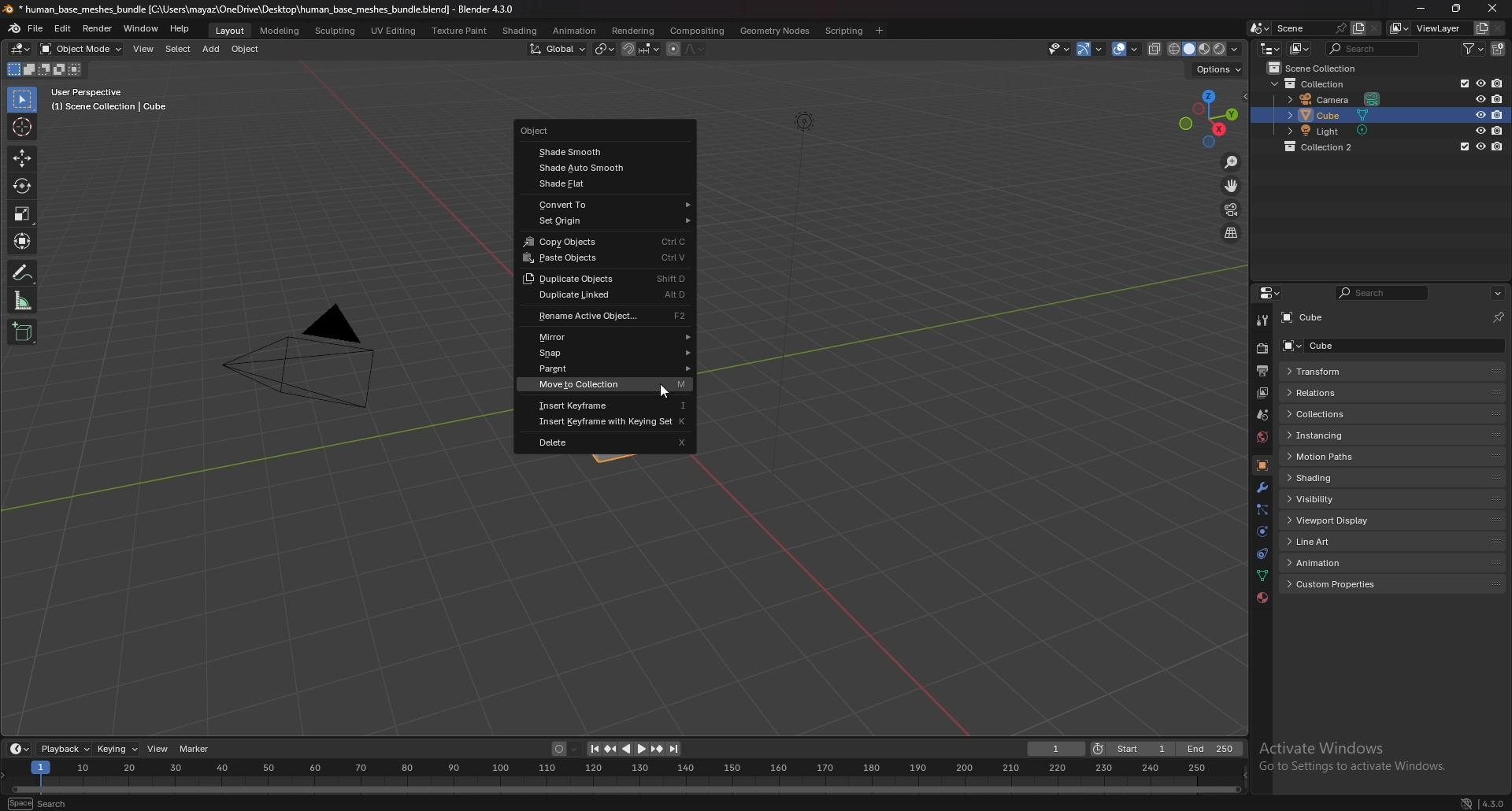 This screenshot has width=1512, height=811. Describe the element at coordinates (337, 30) in the screenshot. I see `sculpting` at that location.